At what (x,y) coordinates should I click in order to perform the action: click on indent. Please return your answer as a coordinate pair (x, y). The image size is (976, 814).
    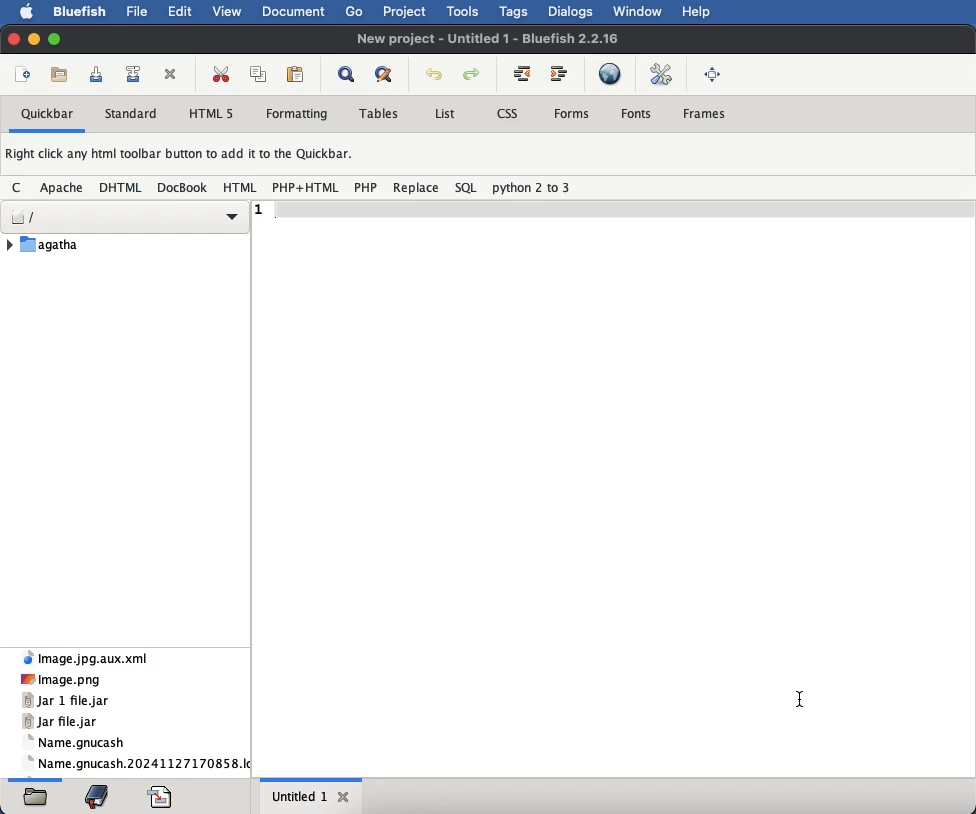
    Looking at the image, I should click on (559, 74).